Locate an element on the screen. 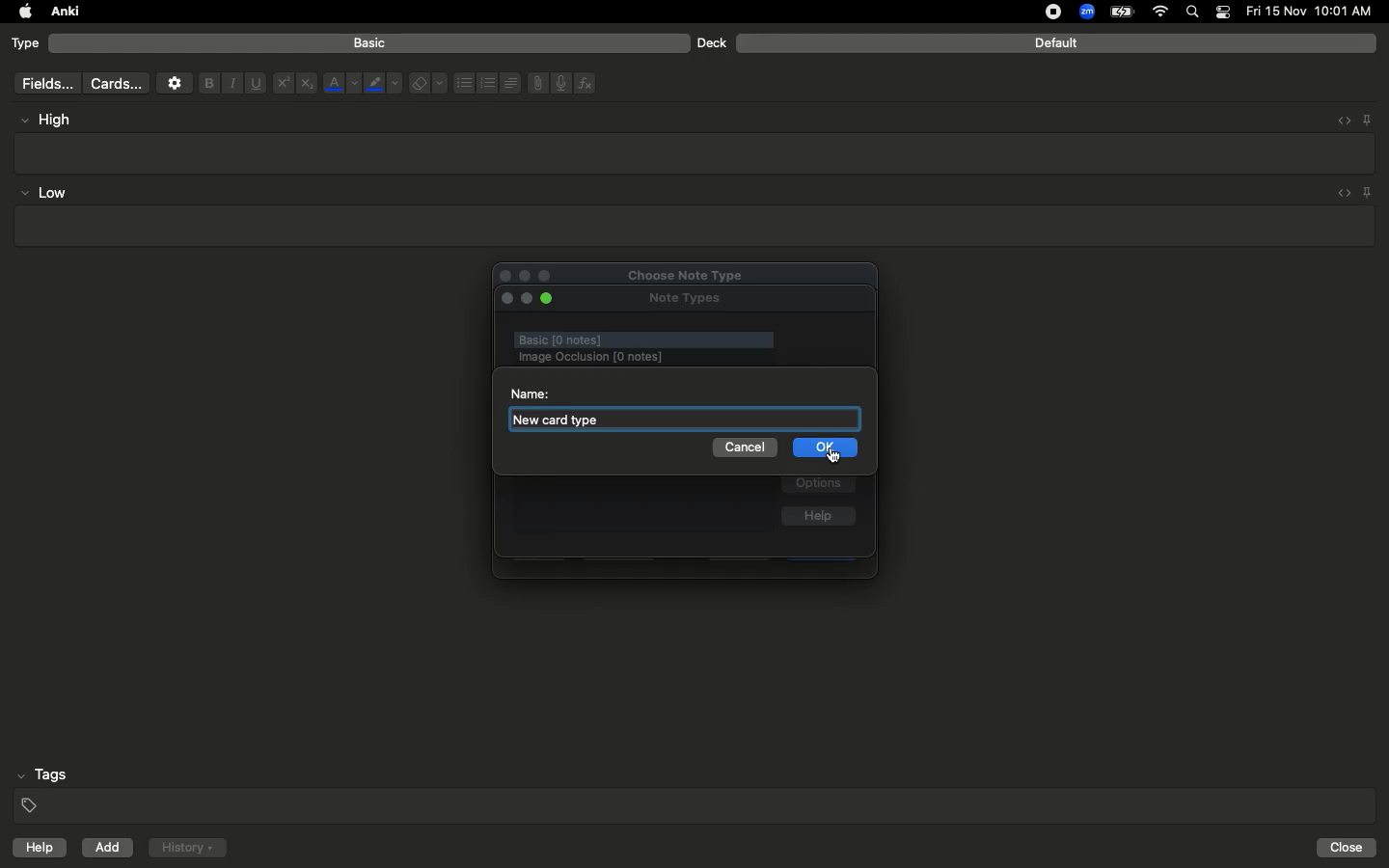  Alignment is located at coordinates (508, 81).